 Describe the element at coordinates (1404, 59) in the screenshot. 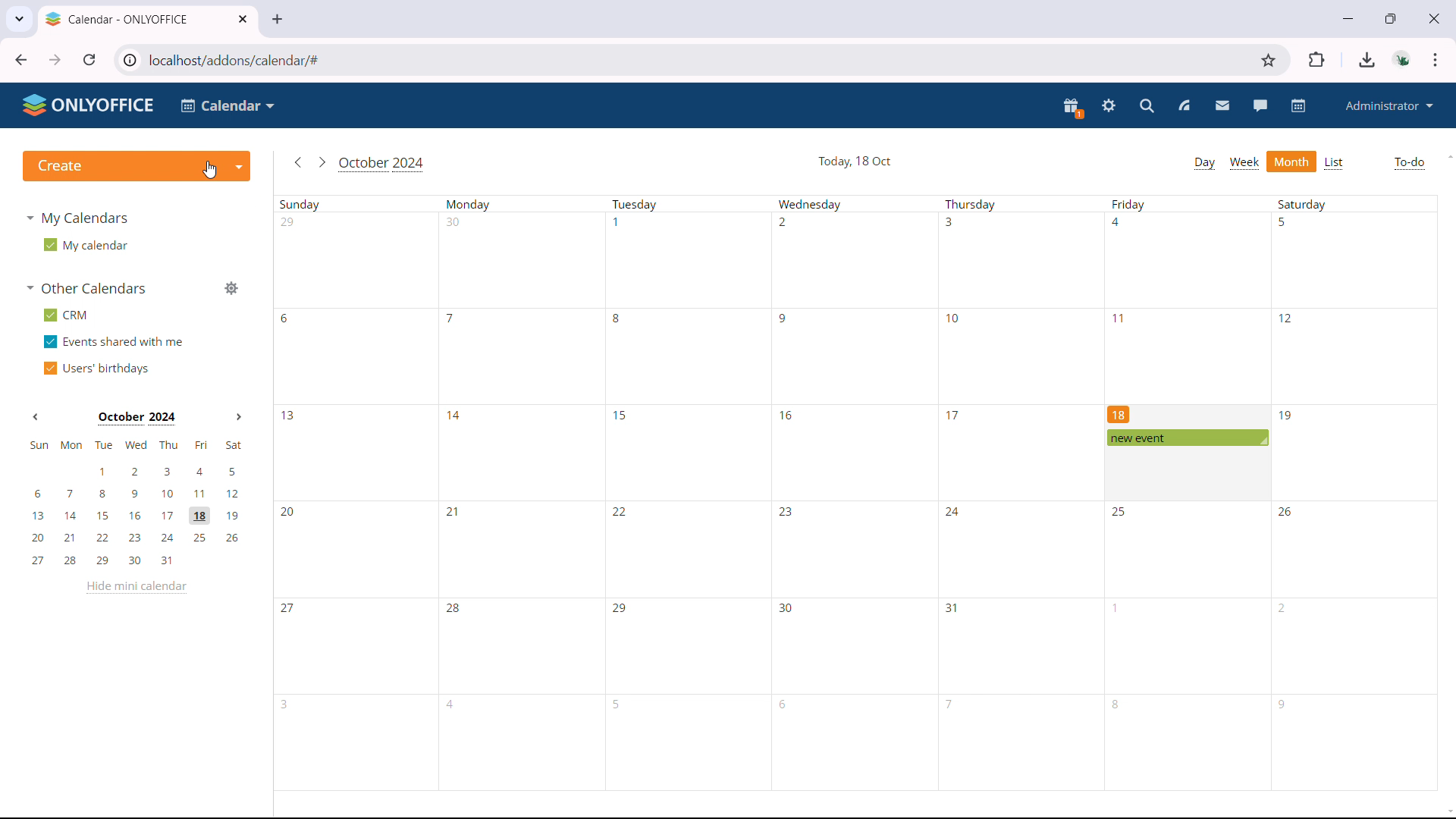

I see `accounts` at that location.